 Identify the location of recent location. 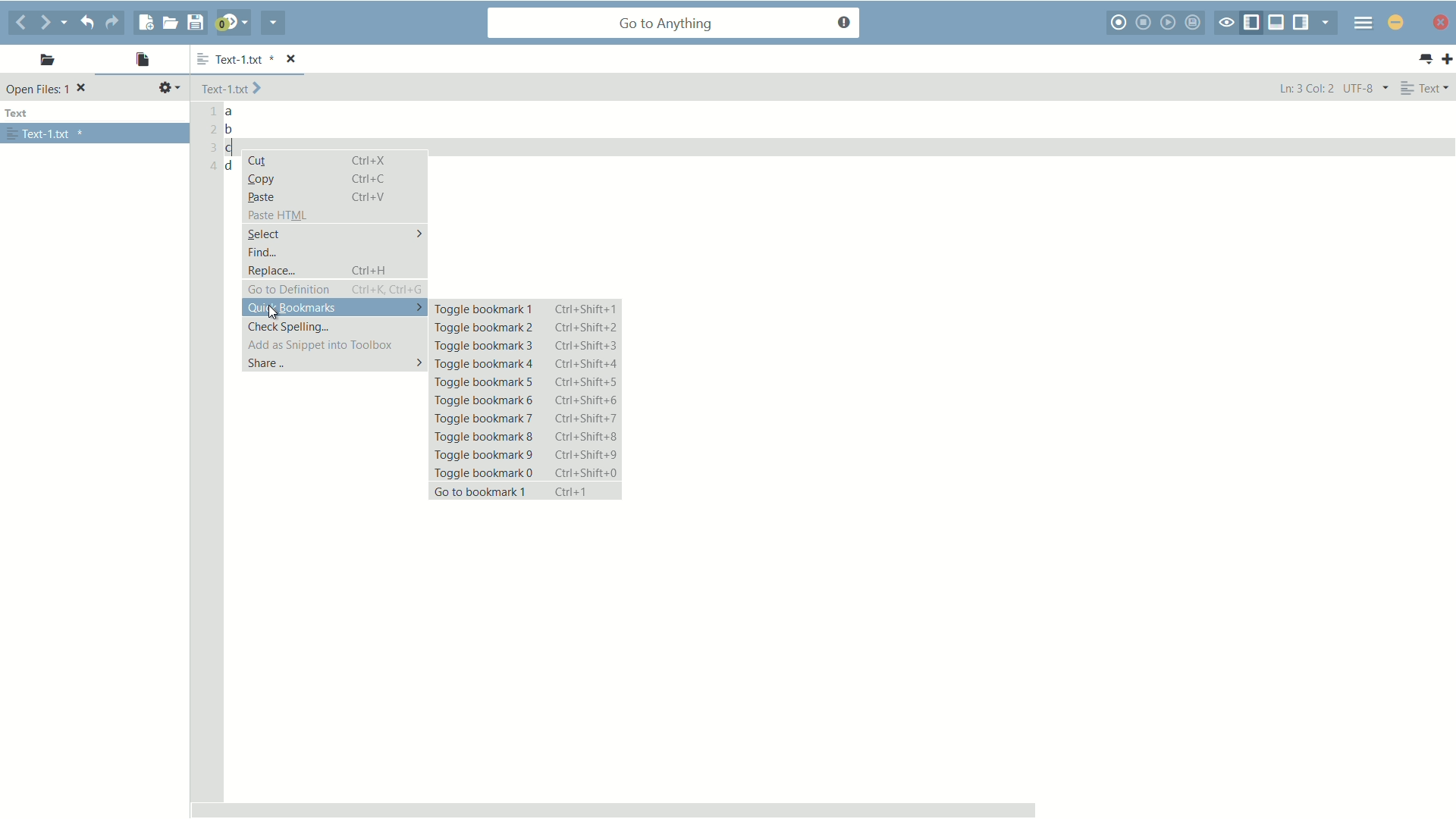
(70, 20).